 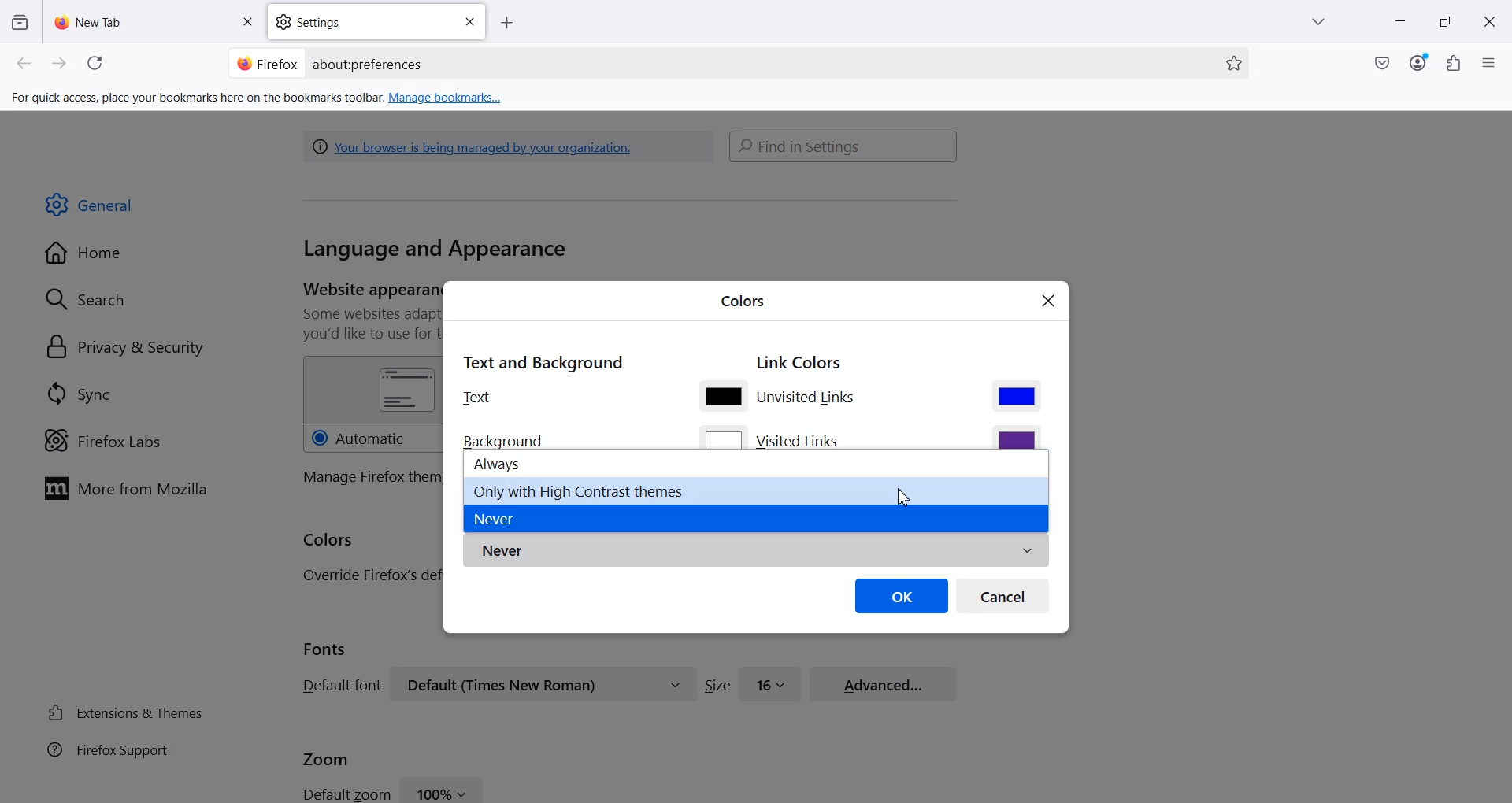 I want to click on Zoom, so click(x=326, y=757).